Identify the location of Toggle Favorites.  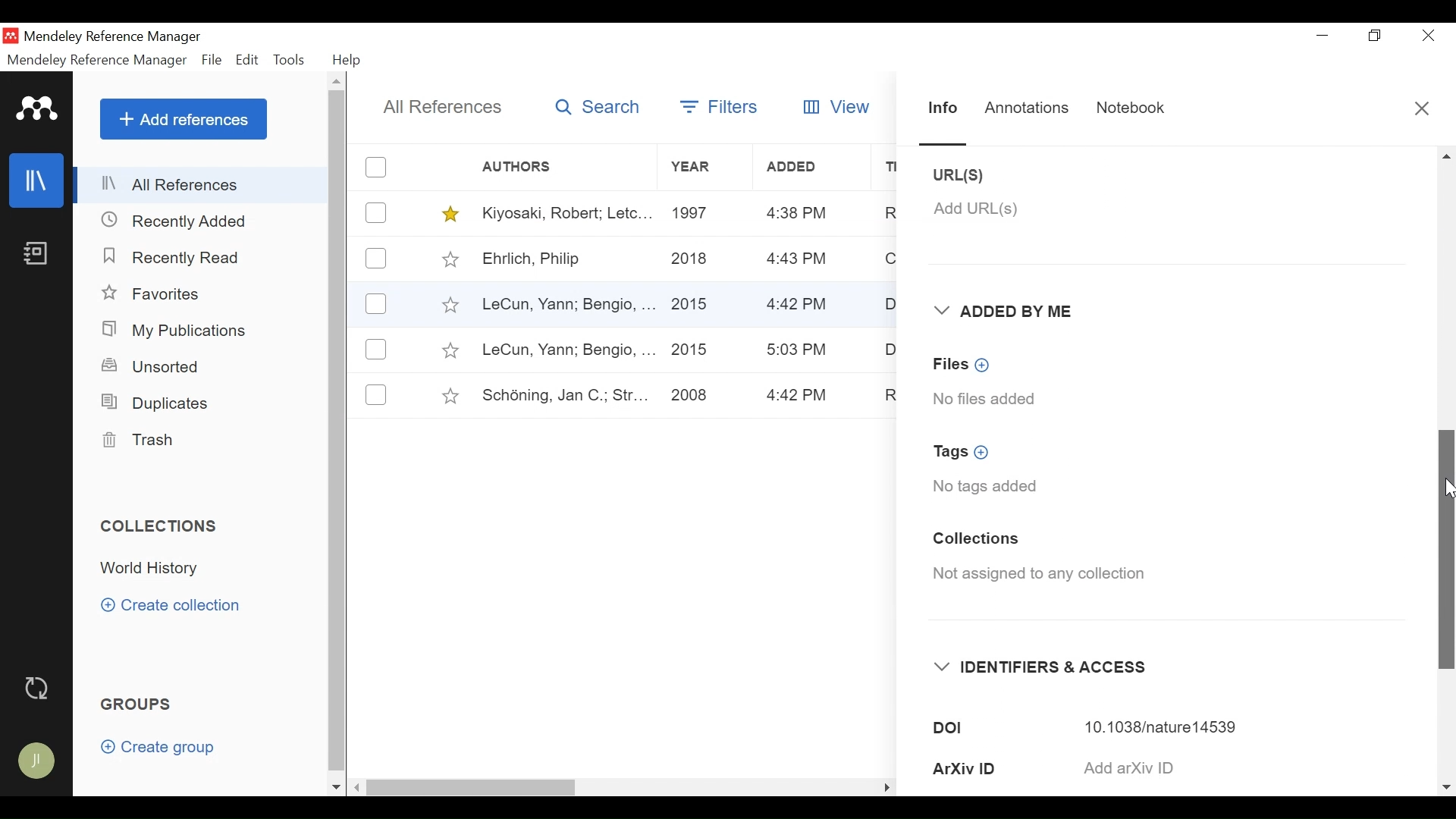
(450, 259).